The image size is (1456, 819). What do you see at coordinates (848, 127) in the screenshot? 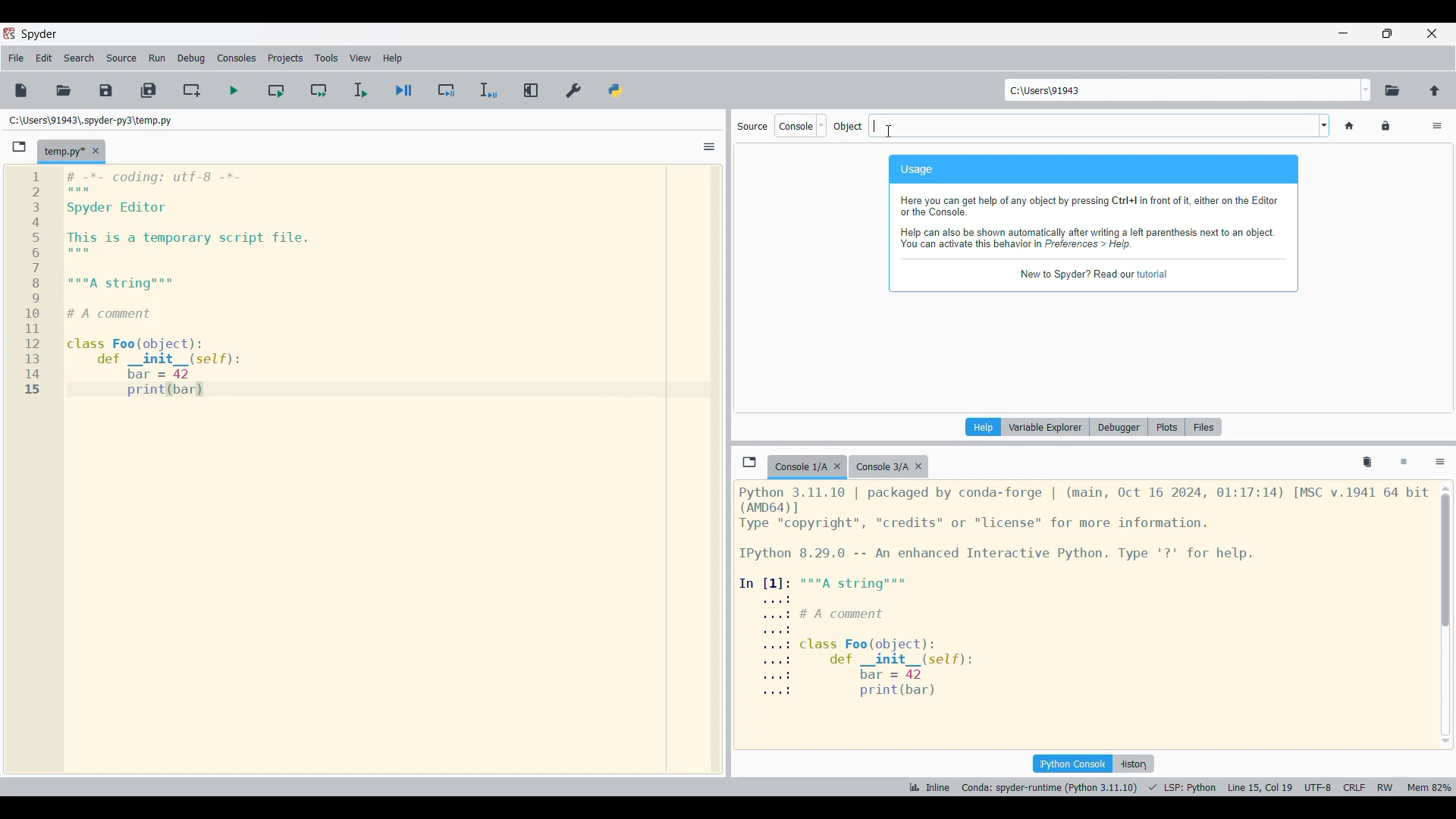
I see `Indiactes object` at bounding box center [848, 127].